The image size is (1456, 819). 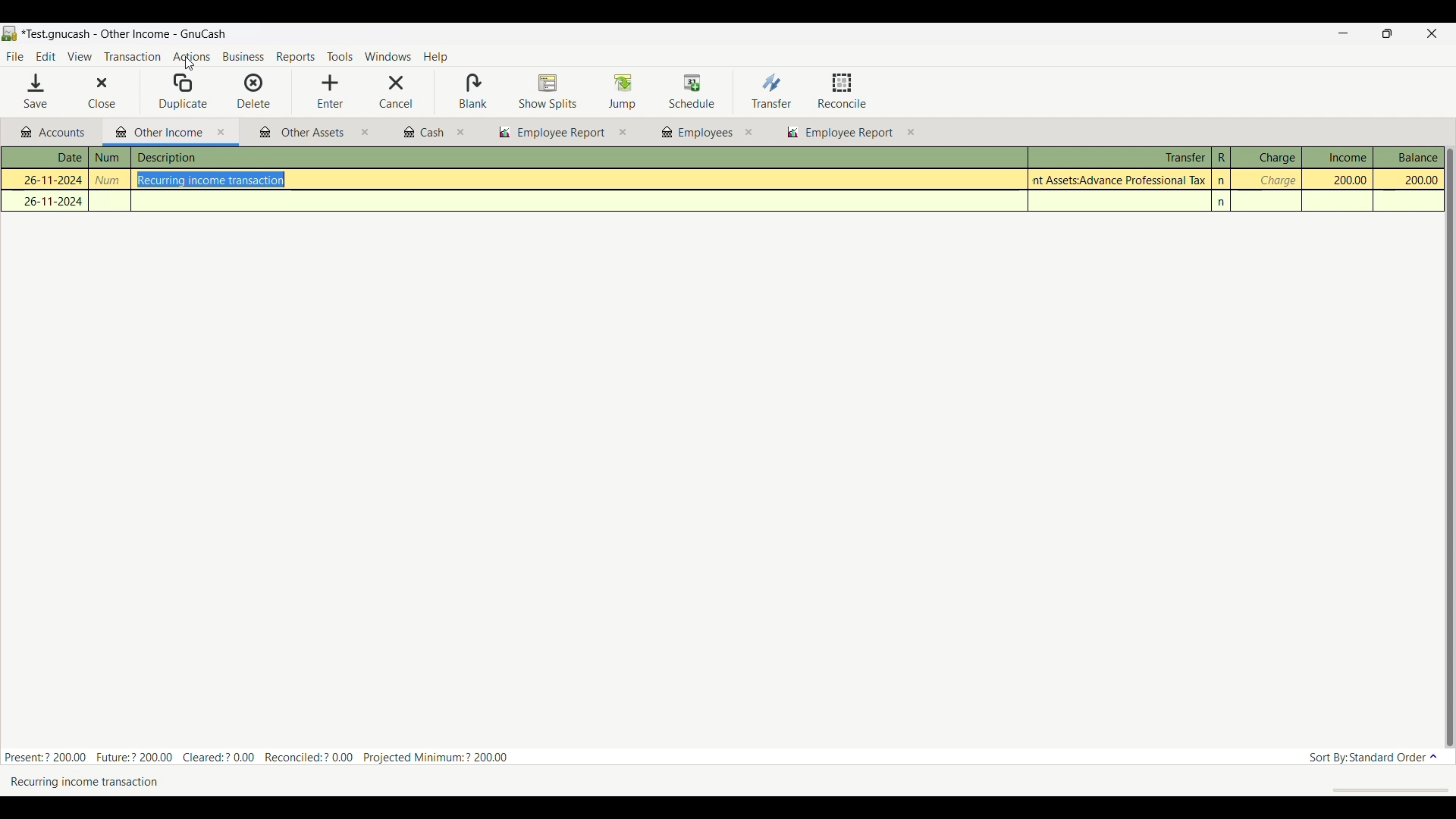 What do you see at coordinates (1382, 789) in the screenshot?
I see `scroll` at bounding box center [1382, 789].